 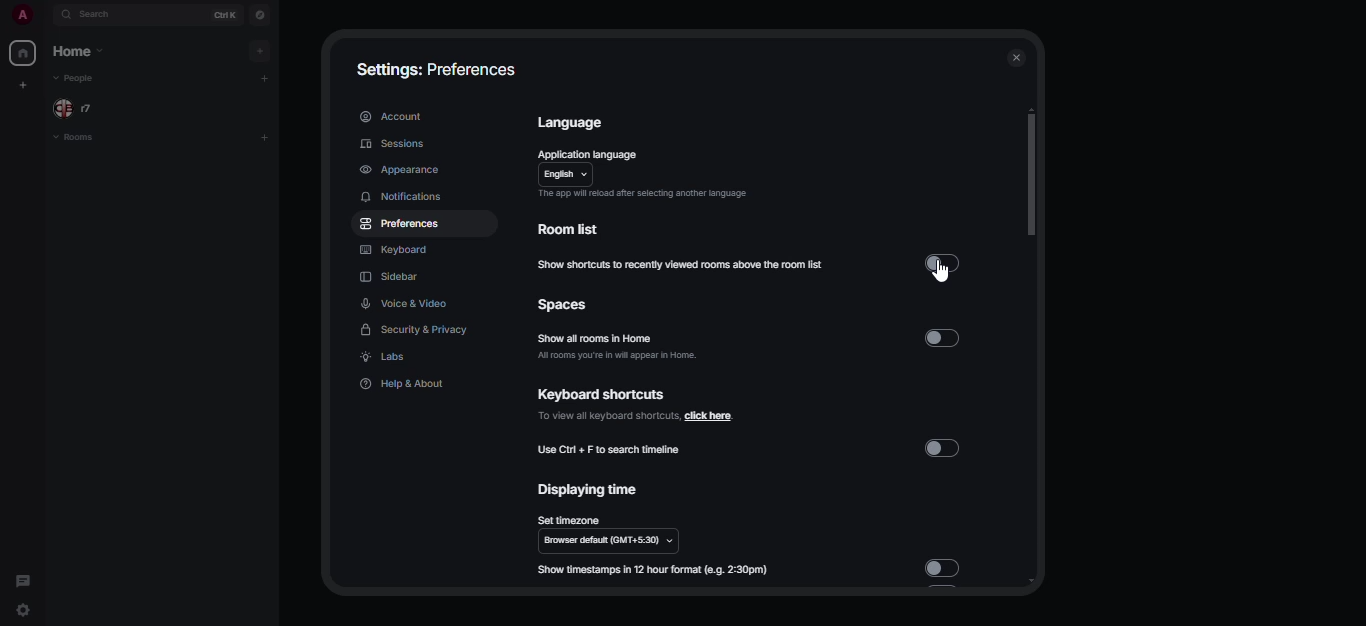 What do you see at coordinates (262, 75) in the screenshot?
I see `add` at bounding box center [262, 75].